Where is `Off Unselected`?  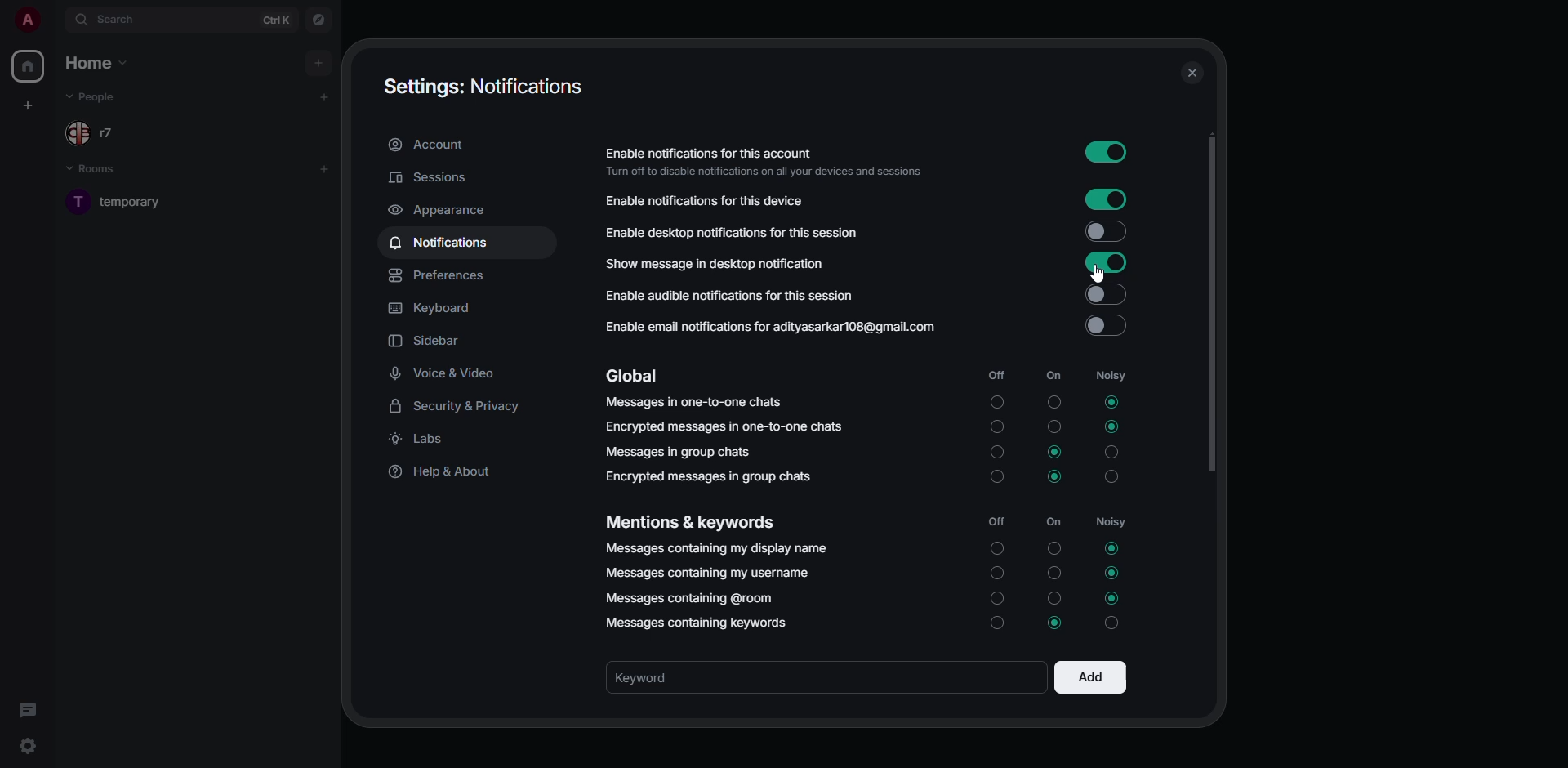 Off Unselected is located at coordinates (996, 477).